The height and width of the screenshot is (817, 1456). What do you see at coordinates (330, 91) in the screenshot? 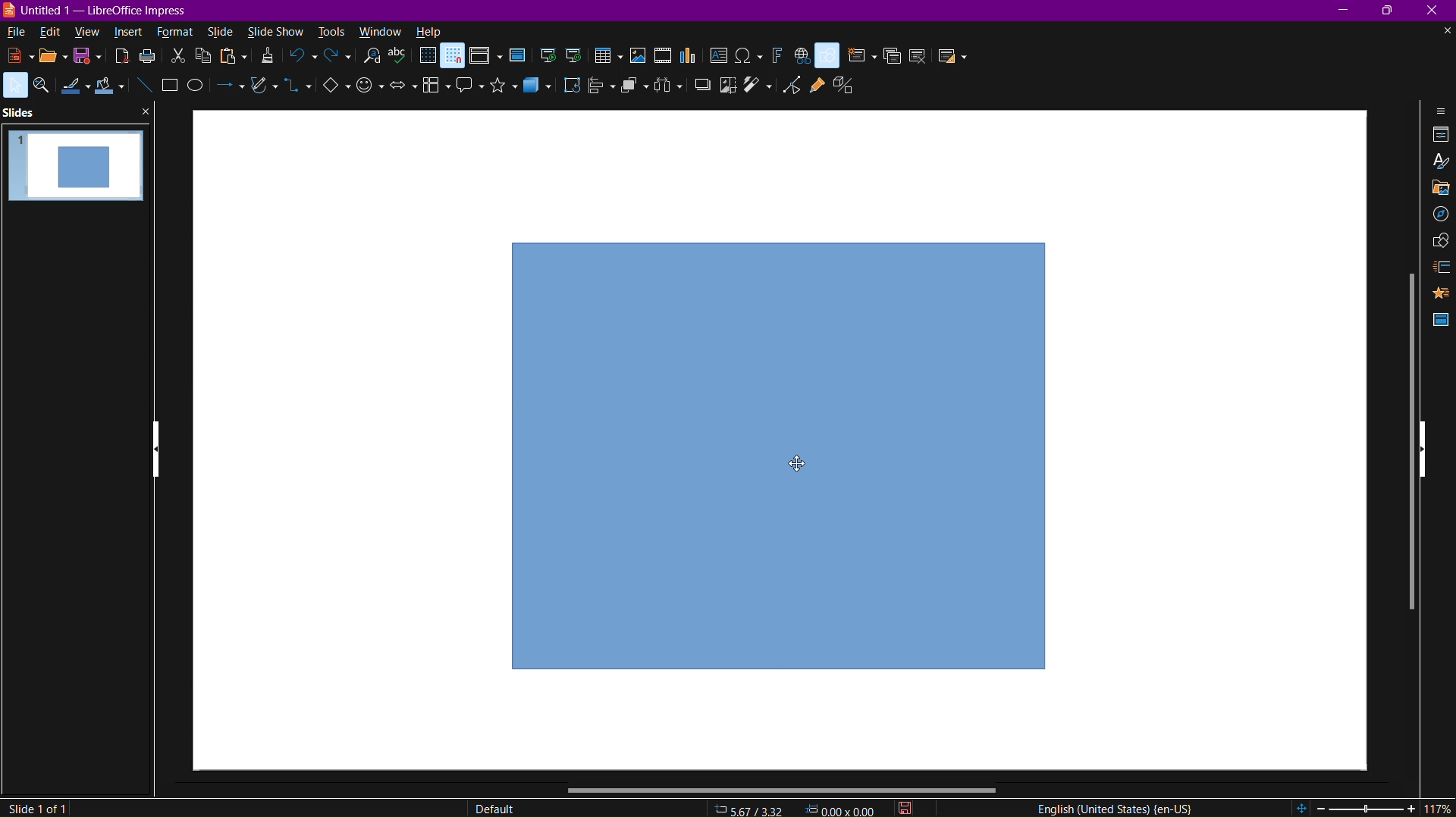
I see `Basic Shapes` at bounding box center [330, 91].